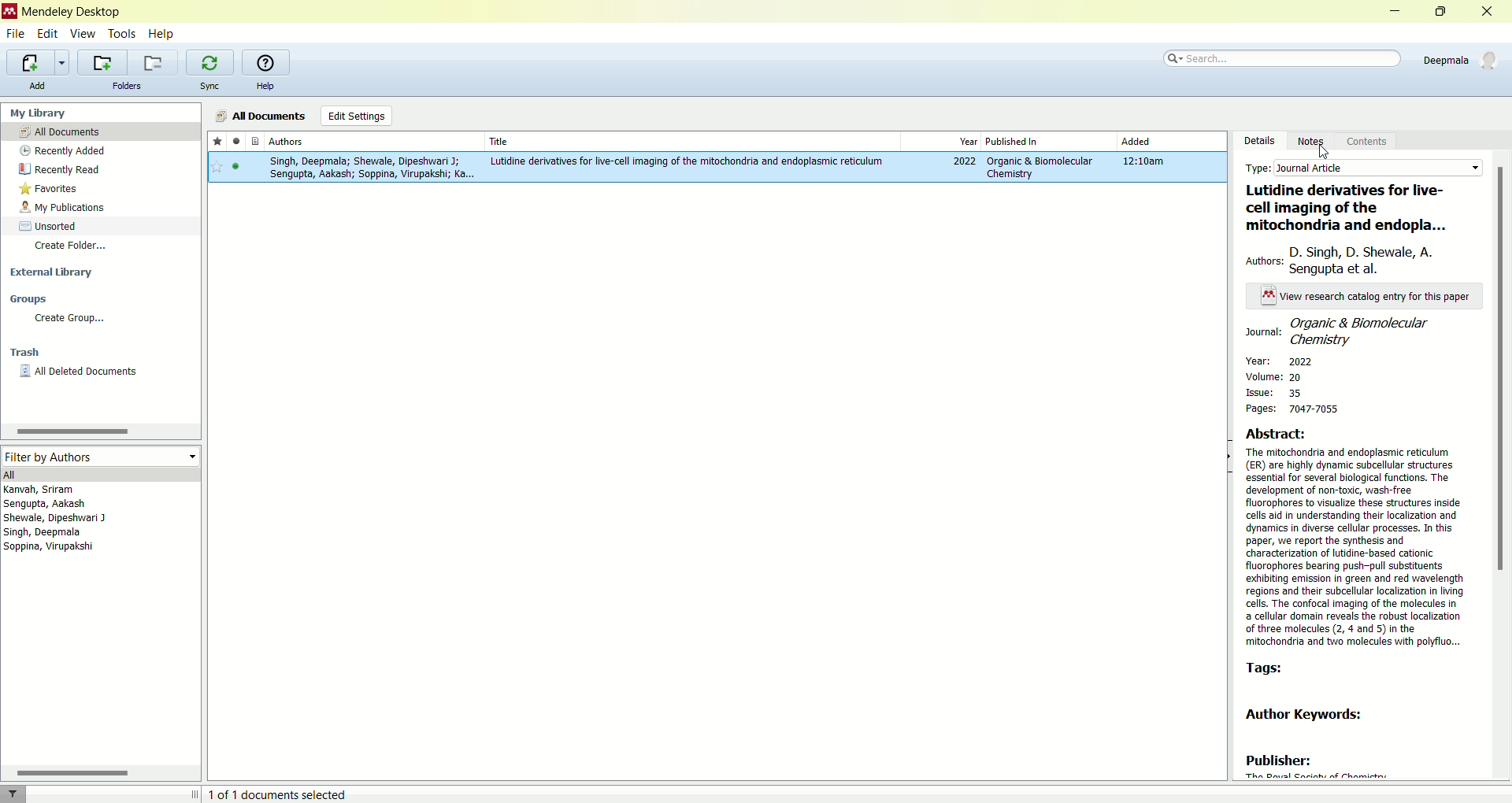 The width and height of the screenshot is (1512, 803). I want to click on import additional documents to the current collection, so click(39, 61).